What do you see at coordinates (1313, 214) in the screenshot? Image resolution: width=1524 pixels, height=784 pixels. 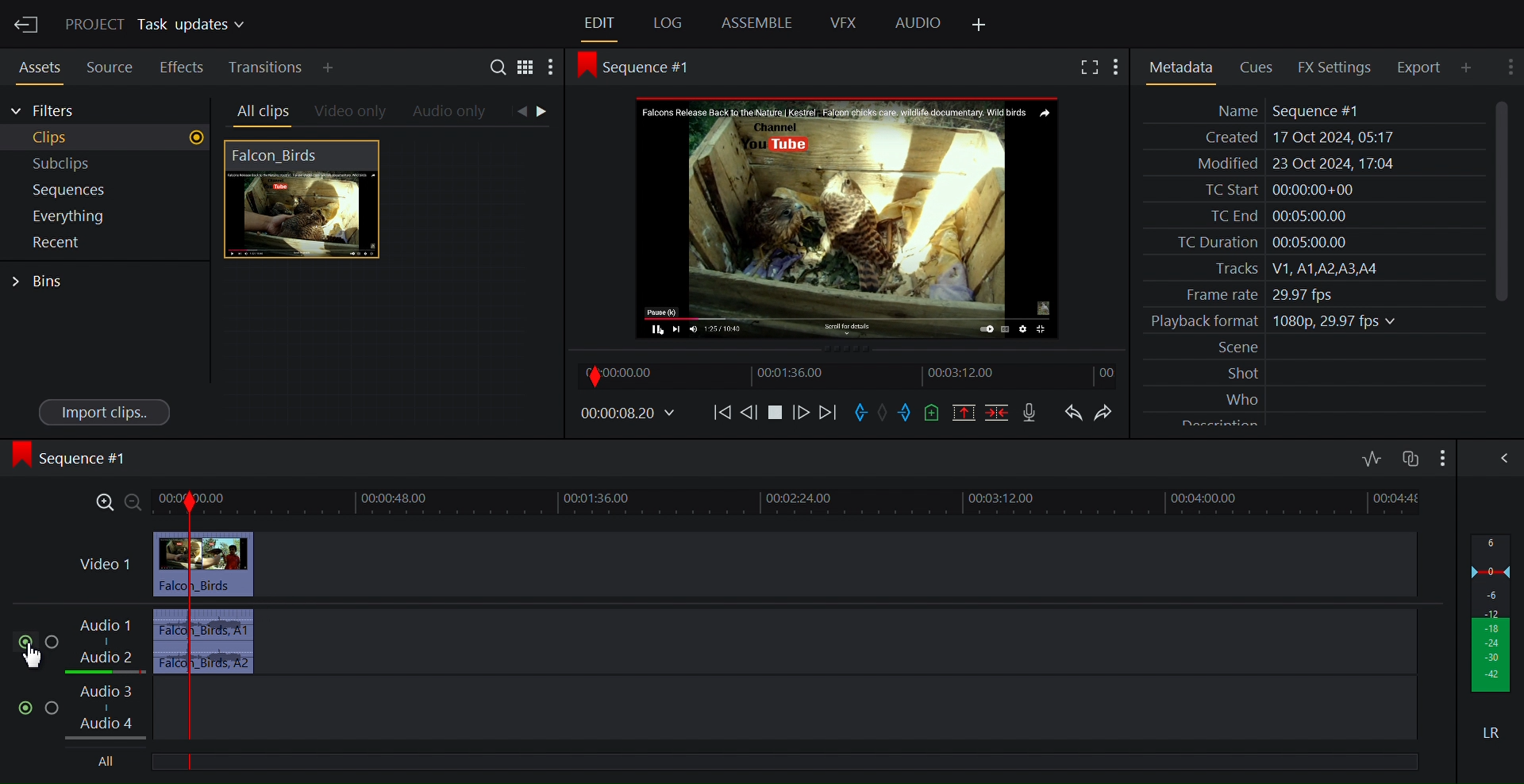 I see `TC End` at bounding box center [1313, 214].